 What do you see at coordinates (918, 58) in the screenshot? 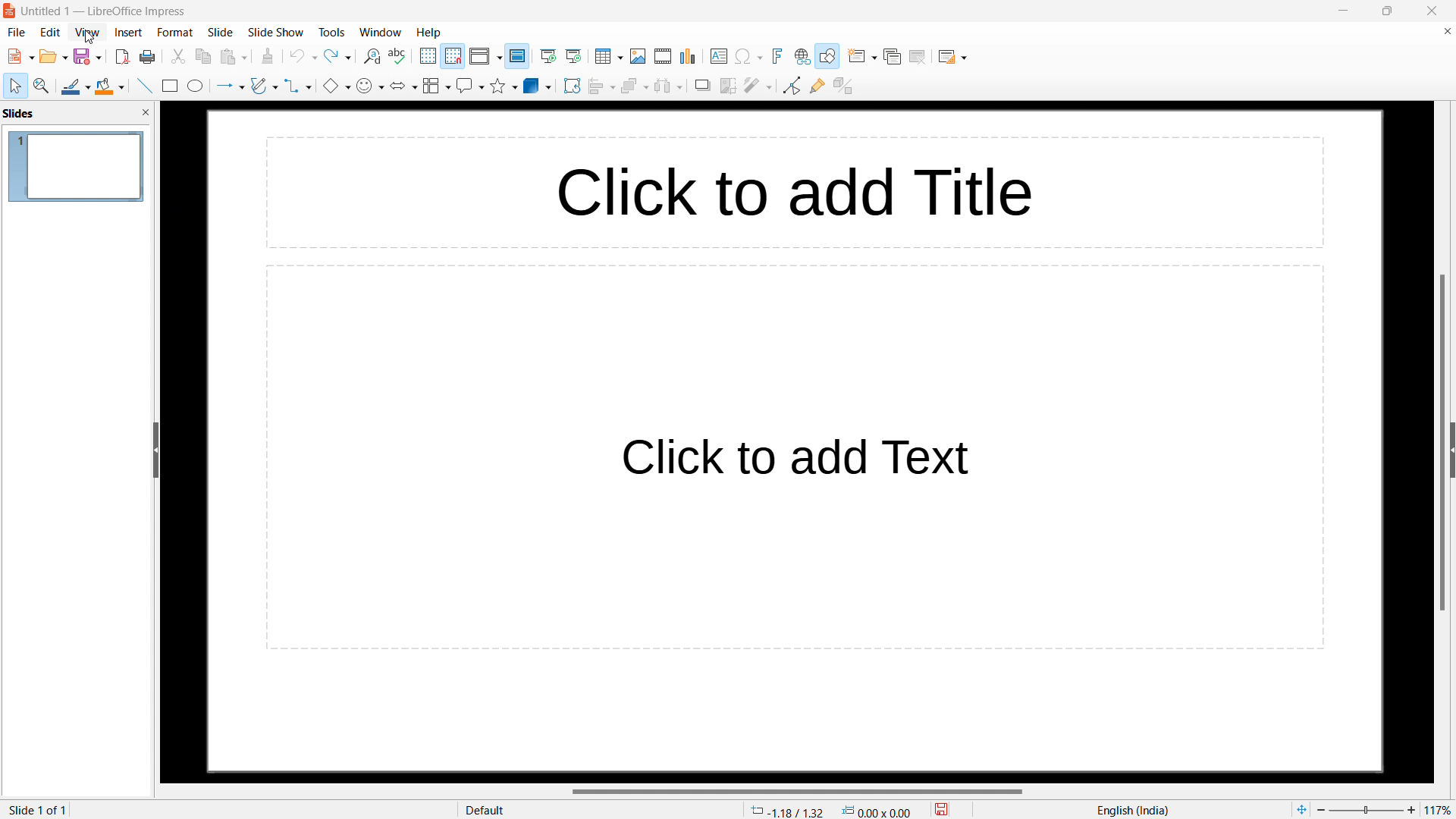
I see `delete slide` at bounding box center [918, 58].